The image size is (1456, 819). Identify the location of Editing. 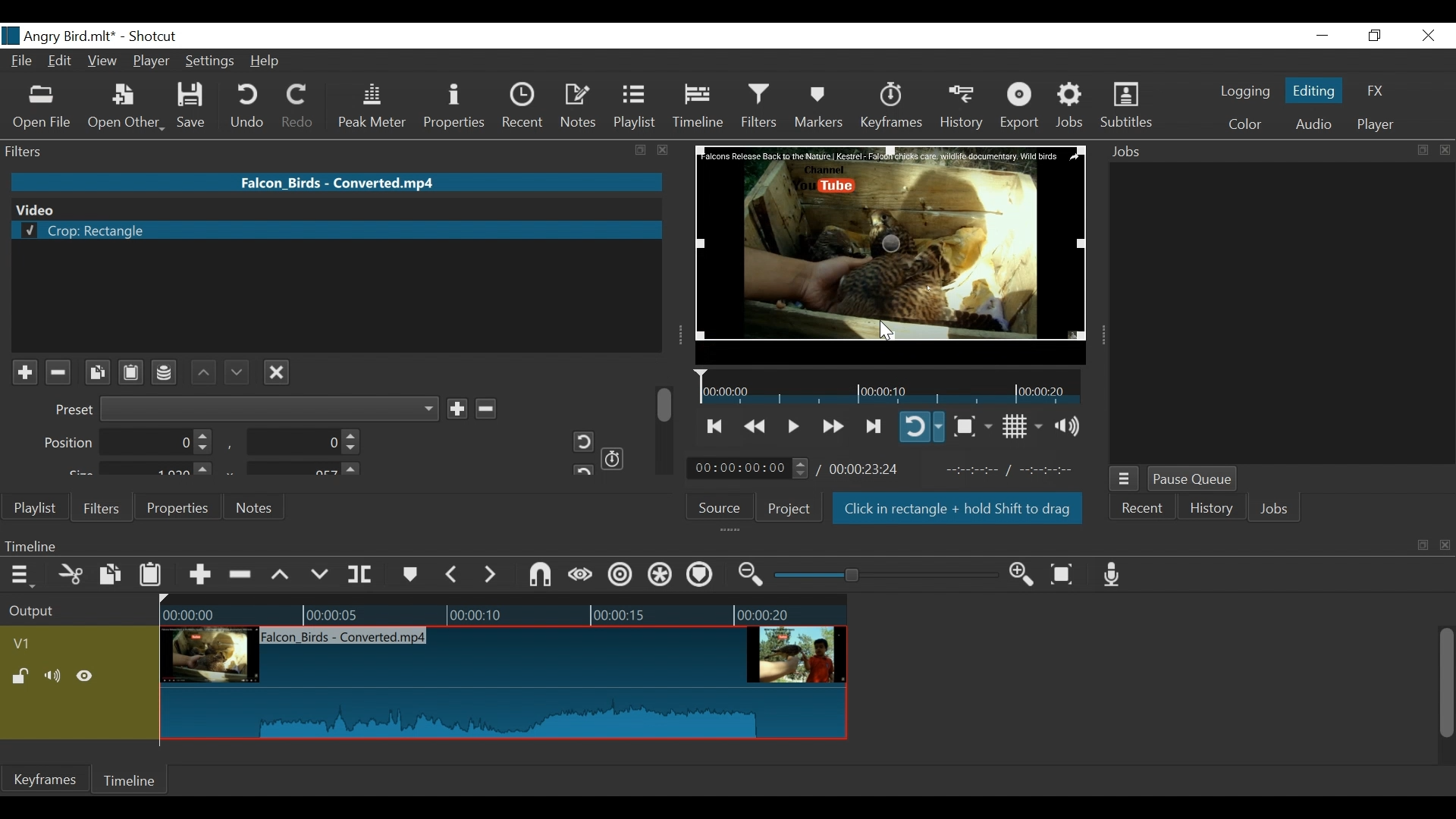
(1316, 89).